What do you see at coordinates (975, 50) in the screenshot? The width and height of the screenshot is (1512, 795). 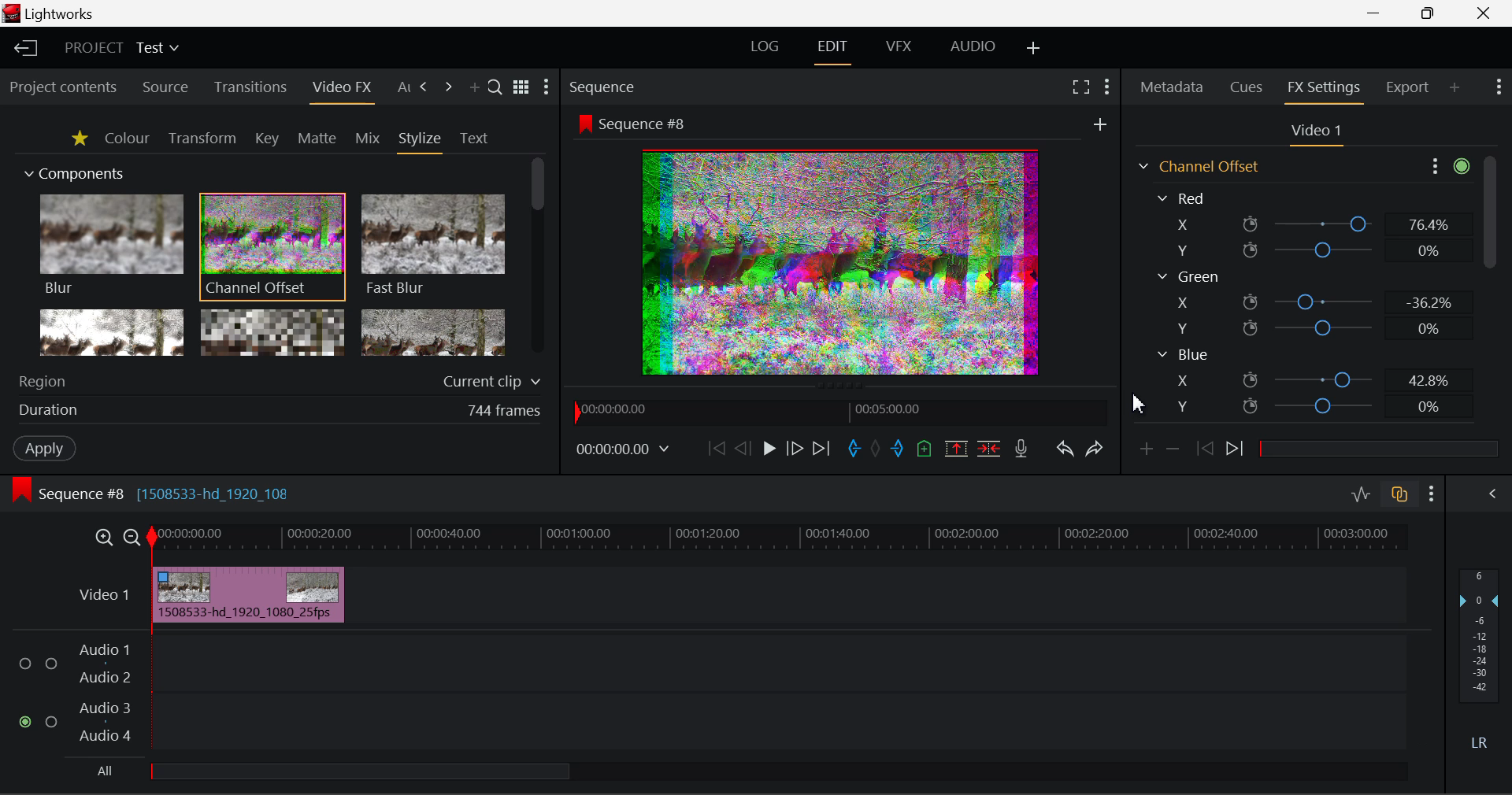 I see `AUDIO Layout` at bounding box center [975, 50].